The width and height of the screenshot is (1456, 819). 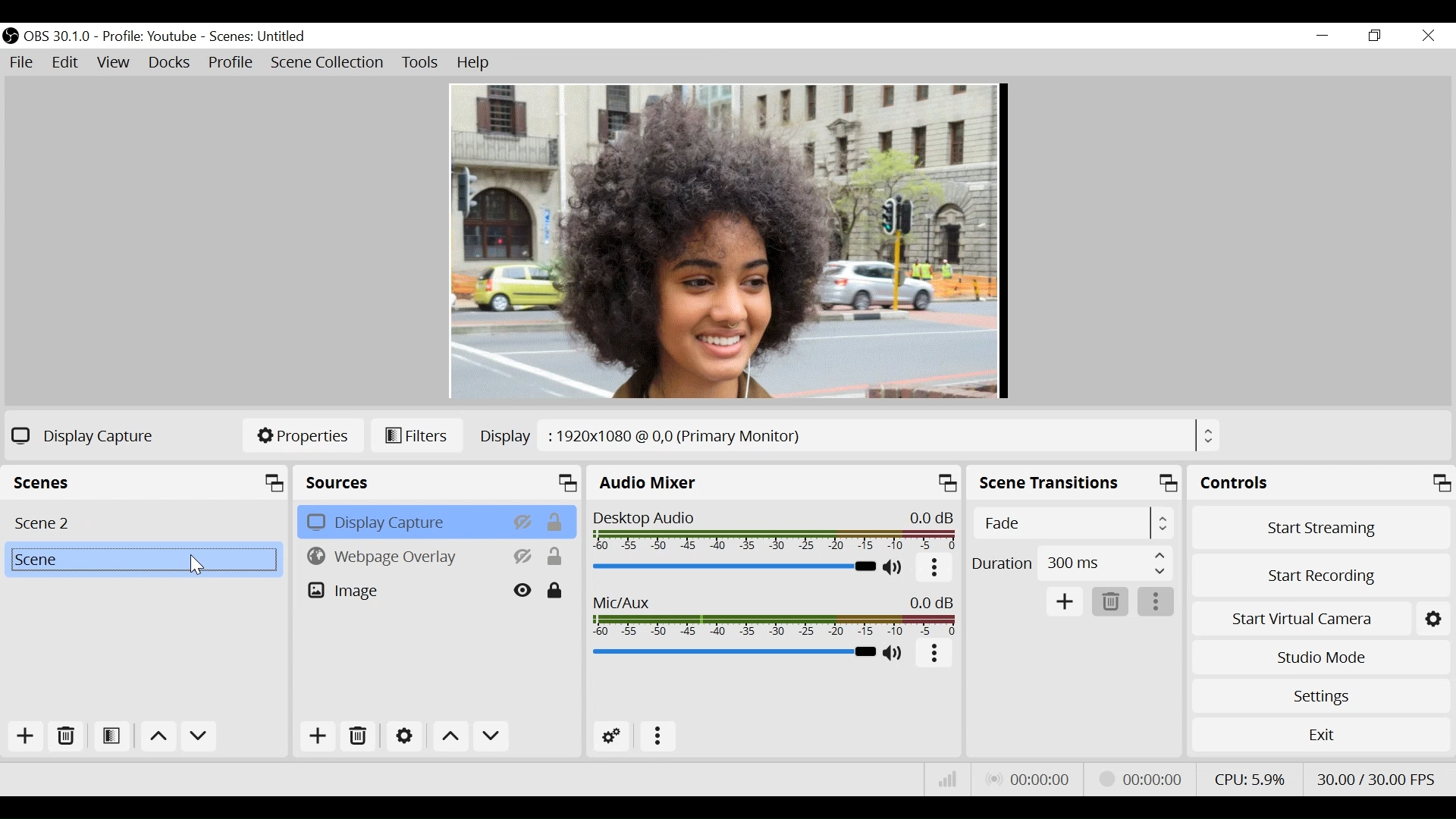 I want to click on (un)lock, so click(x=556, y=590).